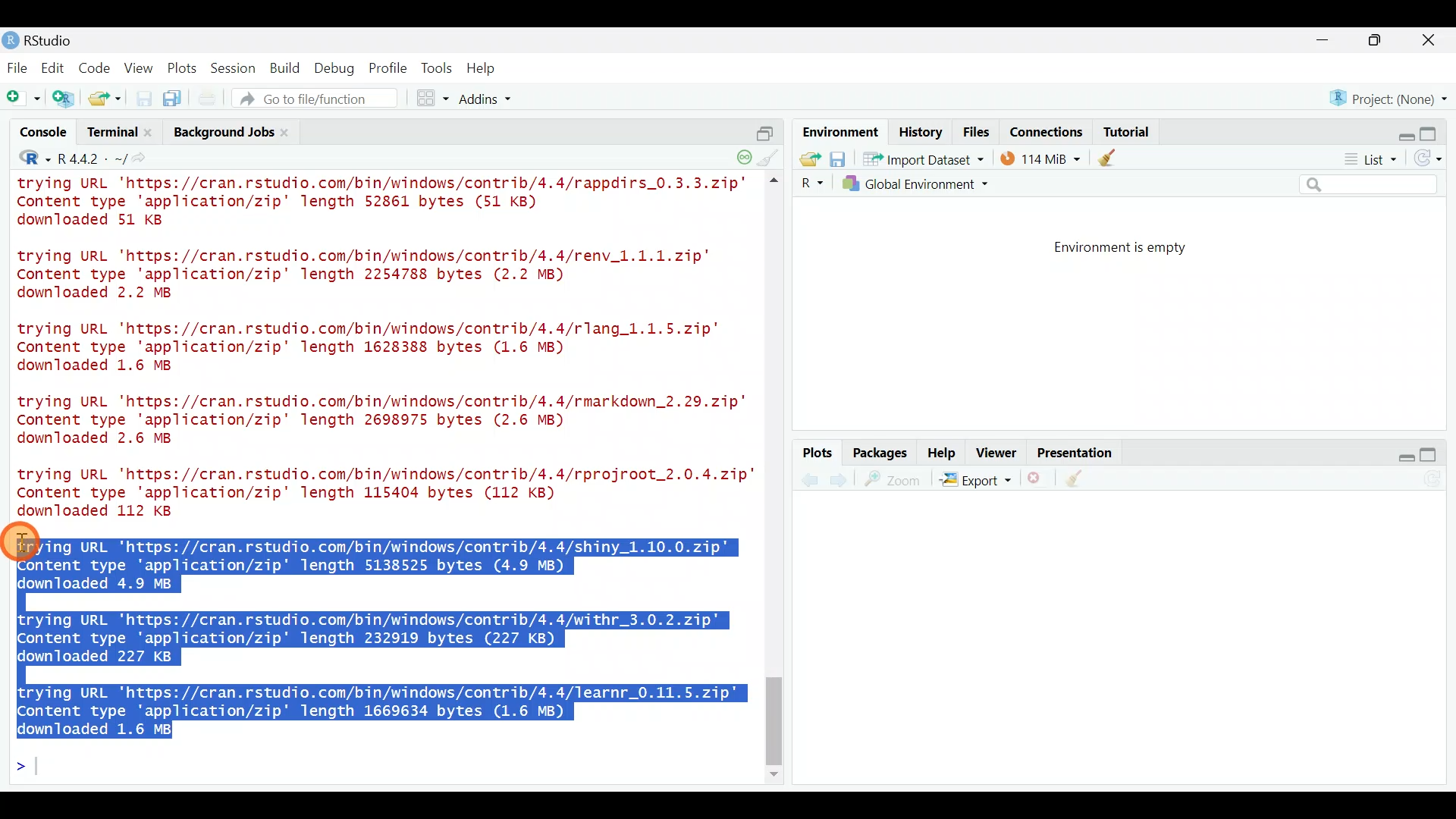  Describe the element at coordinates (27, 769) in the screenshot. I see `Line cursor` at that location.